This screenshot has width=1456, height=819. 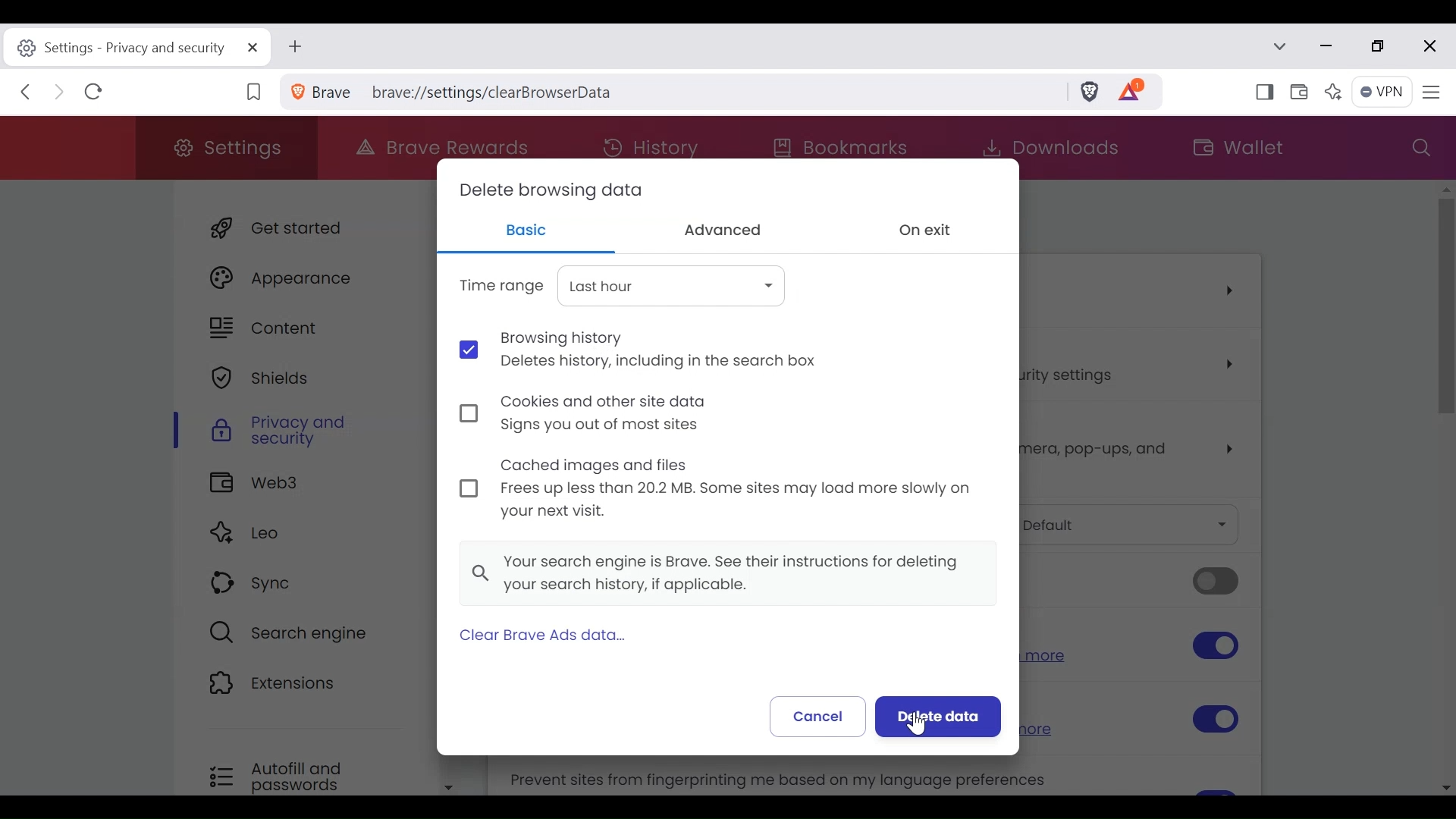 I want to click on restore, so click(x=1385, y=48).